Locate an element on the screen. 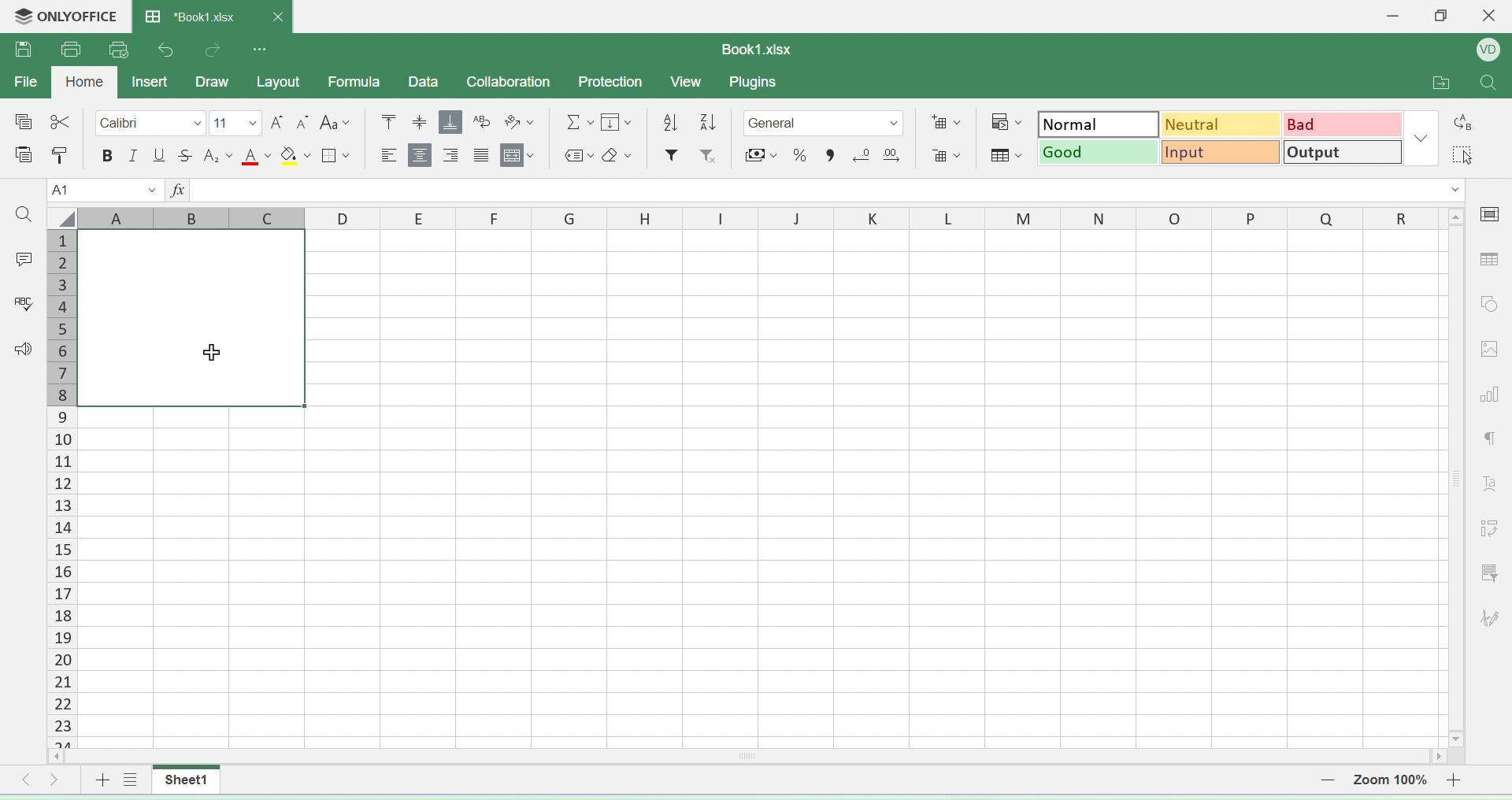 The image size is (1512, 800).  is located at coordinates (258, 157).